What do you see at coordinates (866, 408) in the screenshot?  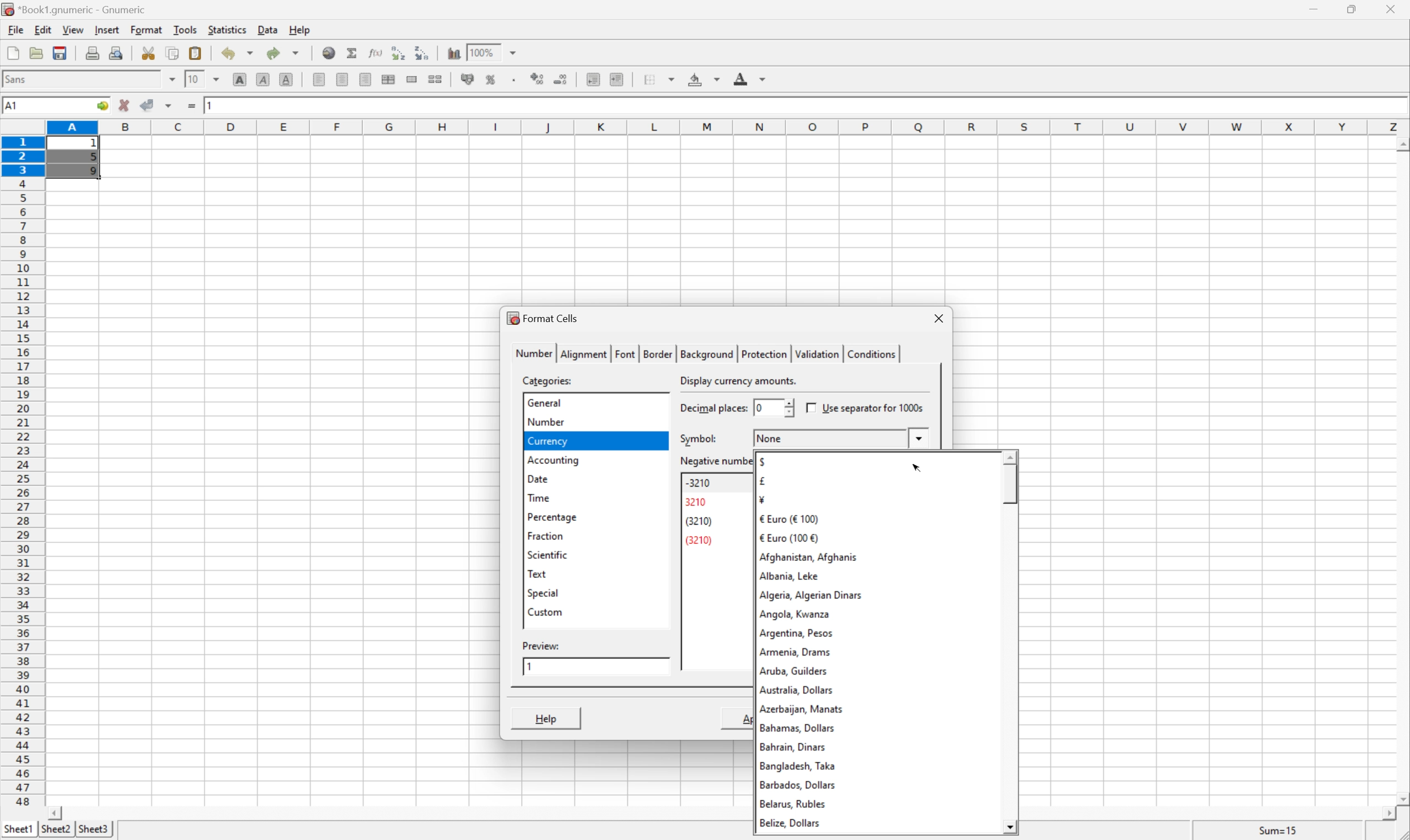 I see `use separator for 1000s` at bounding box center [866, 408].